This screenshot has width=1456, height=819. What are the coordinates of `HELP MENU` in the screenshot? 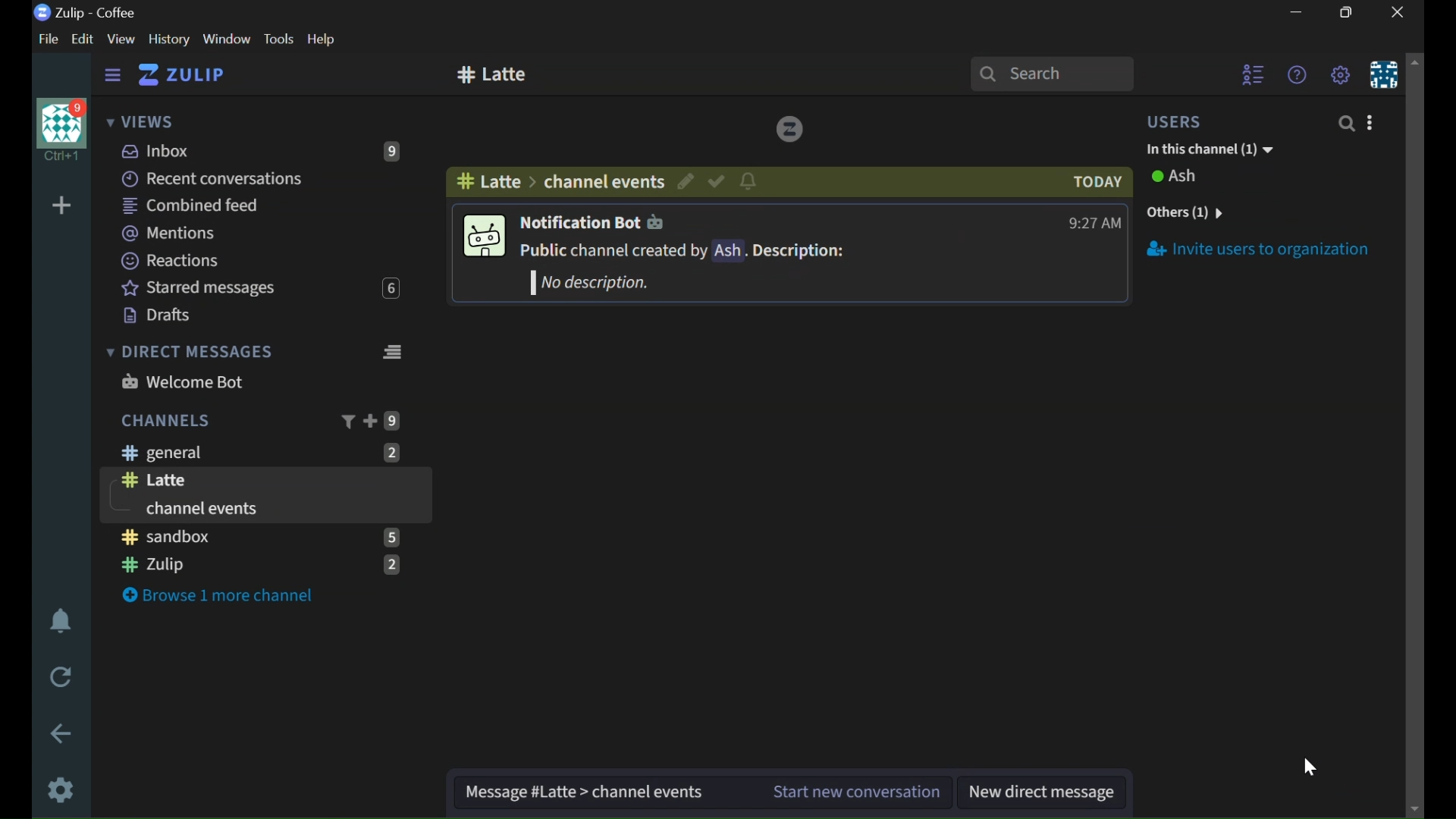 It's located at (1296, 74).